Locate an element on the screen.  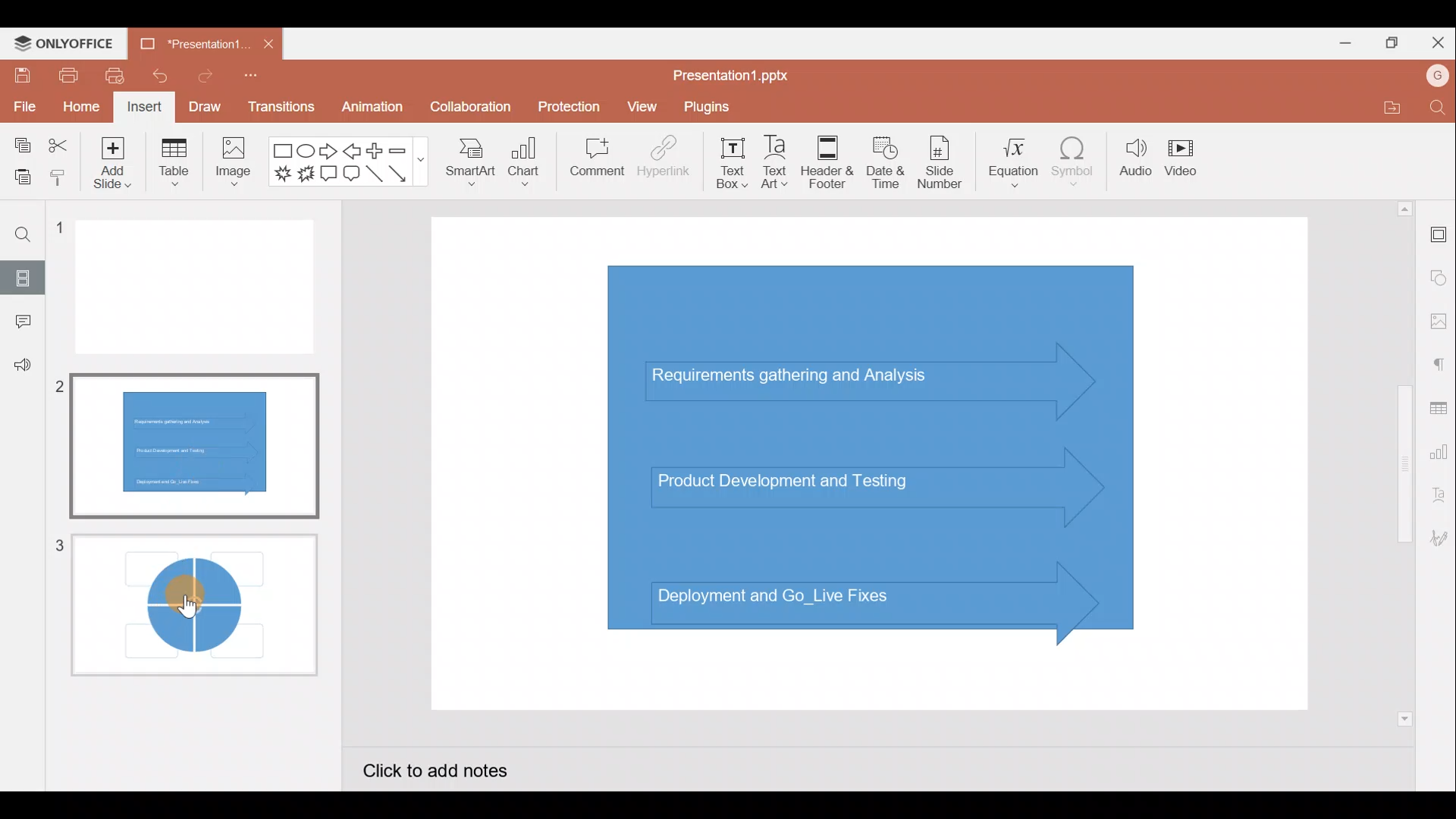
Open file location is located at coordinates (1382, 107).